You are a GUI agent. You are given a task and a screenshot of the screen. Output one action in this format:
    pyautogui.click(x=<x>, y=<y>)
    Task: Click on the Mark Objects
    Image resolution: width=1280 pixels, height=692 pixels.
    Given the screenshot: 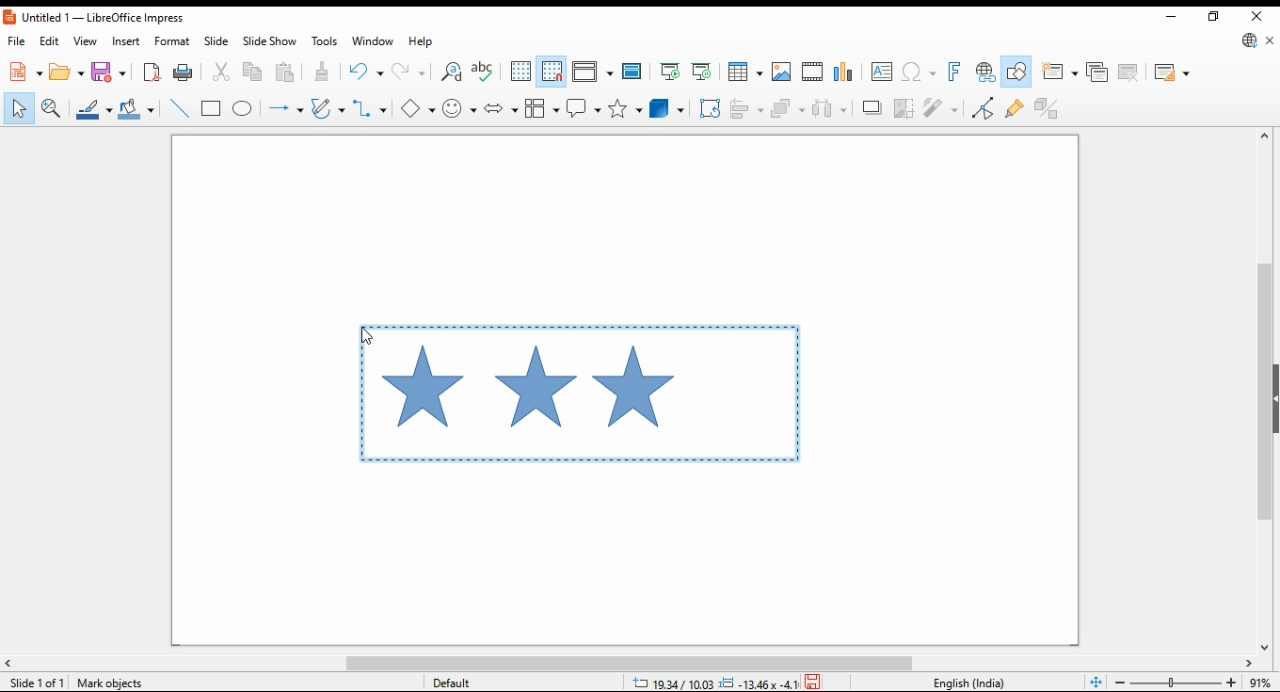 What is the action you would take?
    pyautogui.click(x=112, y=681)
    